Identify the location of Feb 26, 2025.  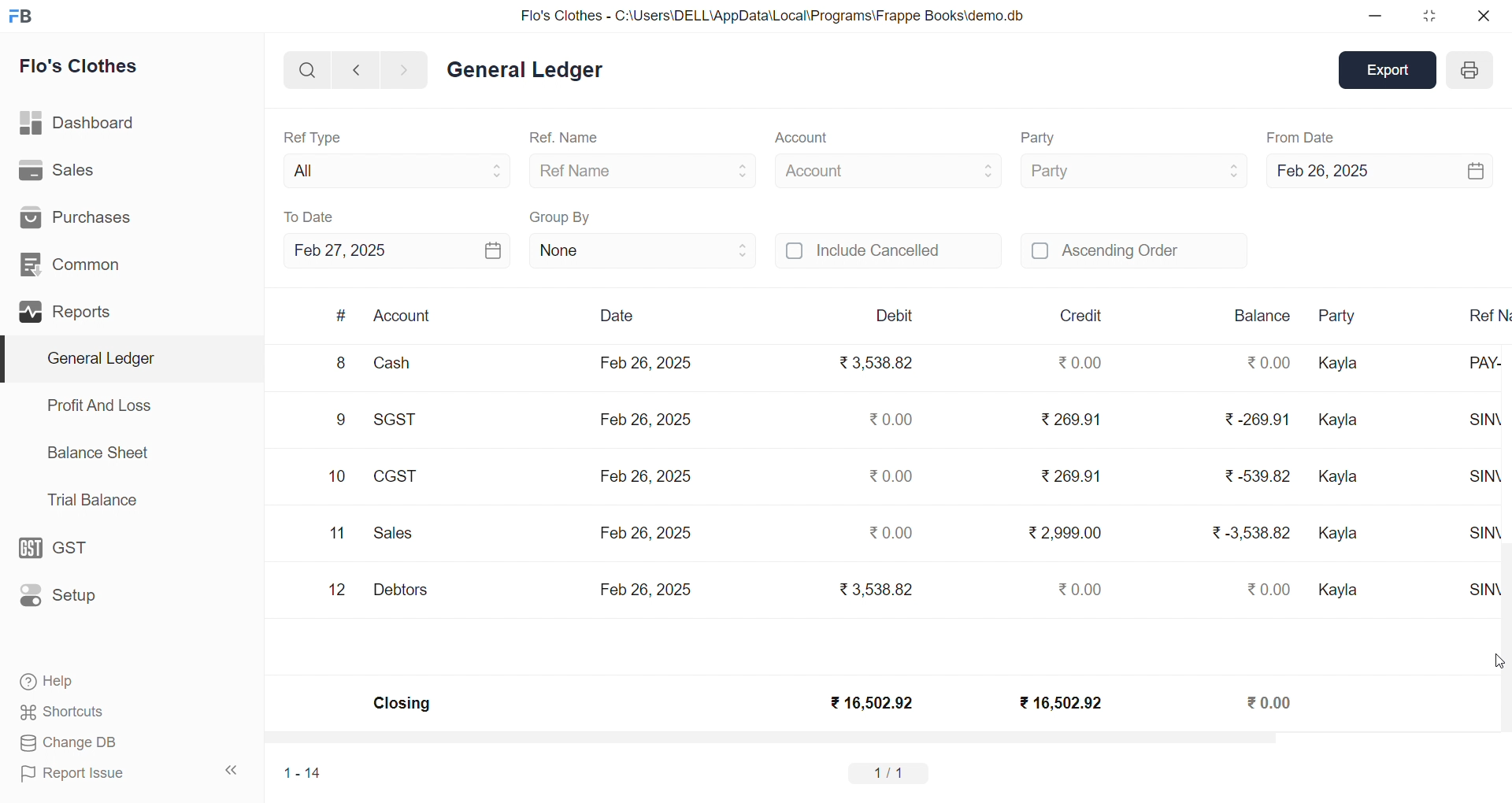
(646, 588).